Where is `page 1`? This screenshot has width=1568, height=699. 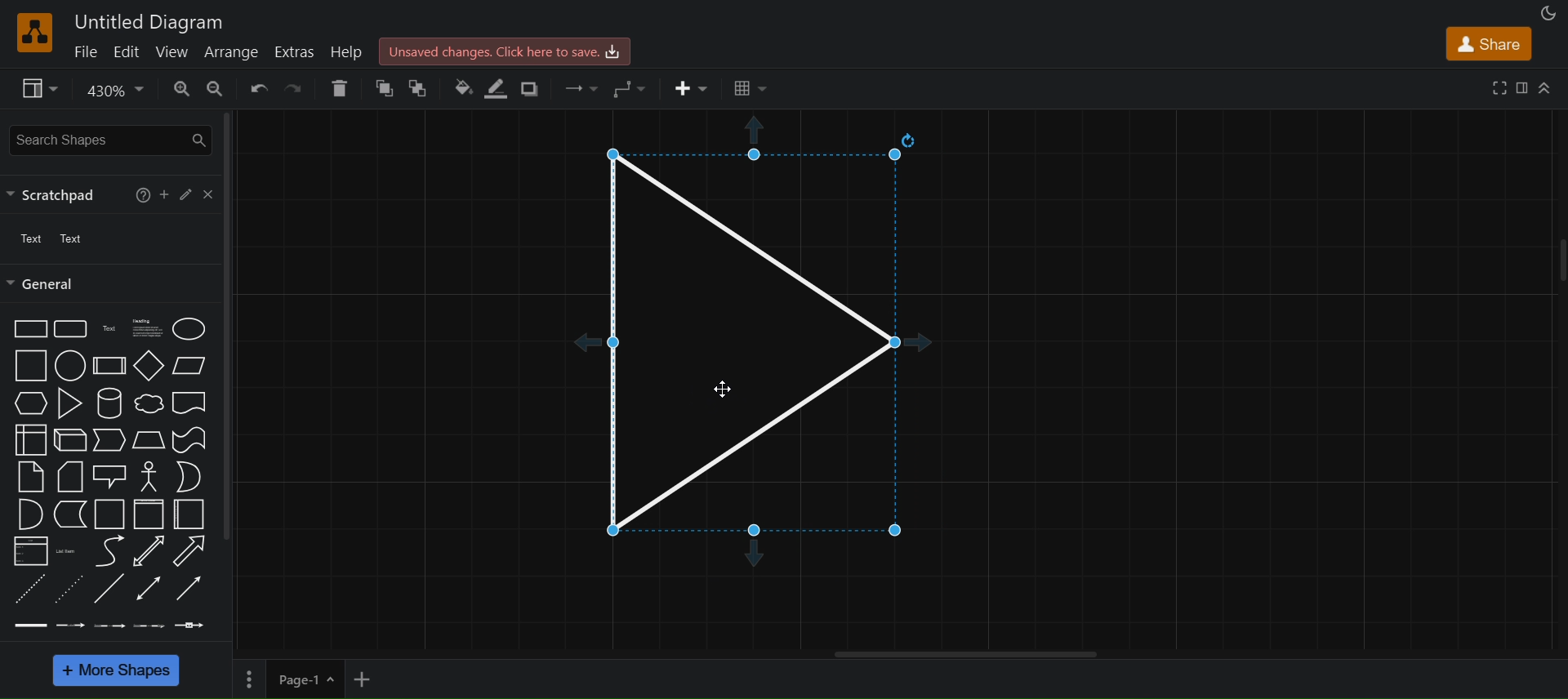
page 1 is located at coordinates (310, 678).